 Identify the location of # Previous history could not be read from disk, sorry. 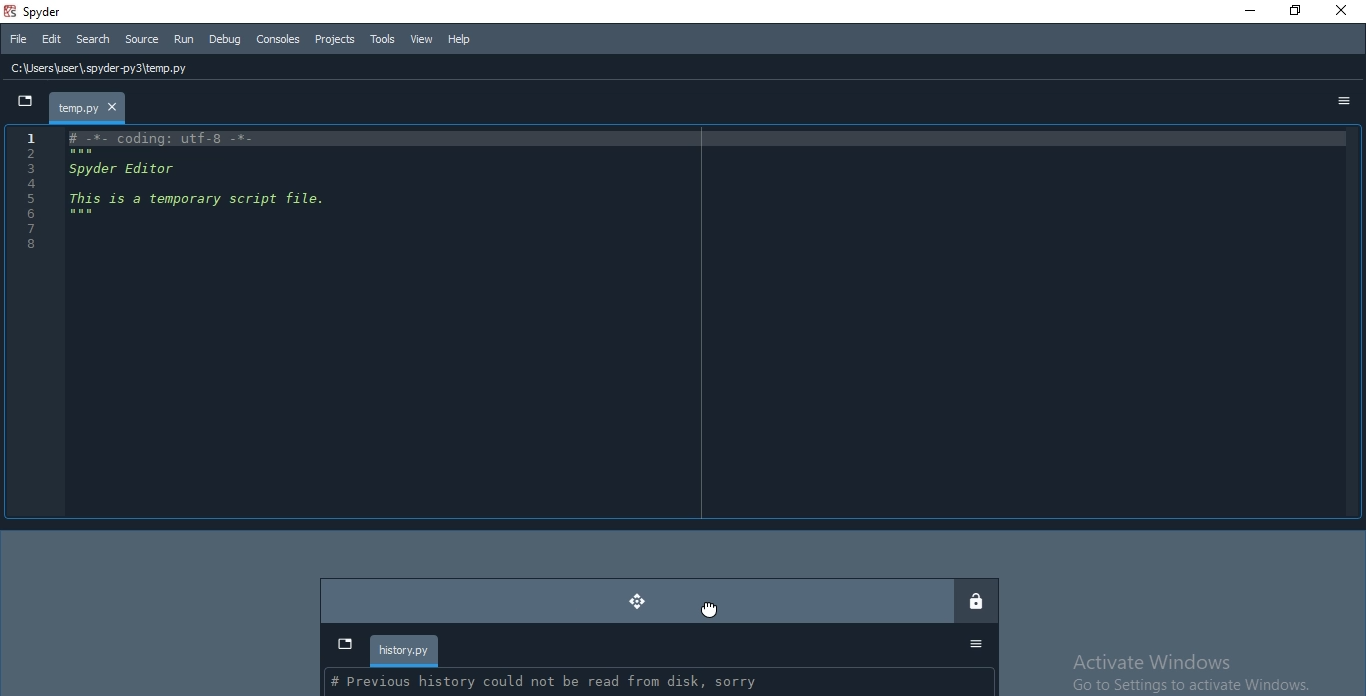
(549, 682).